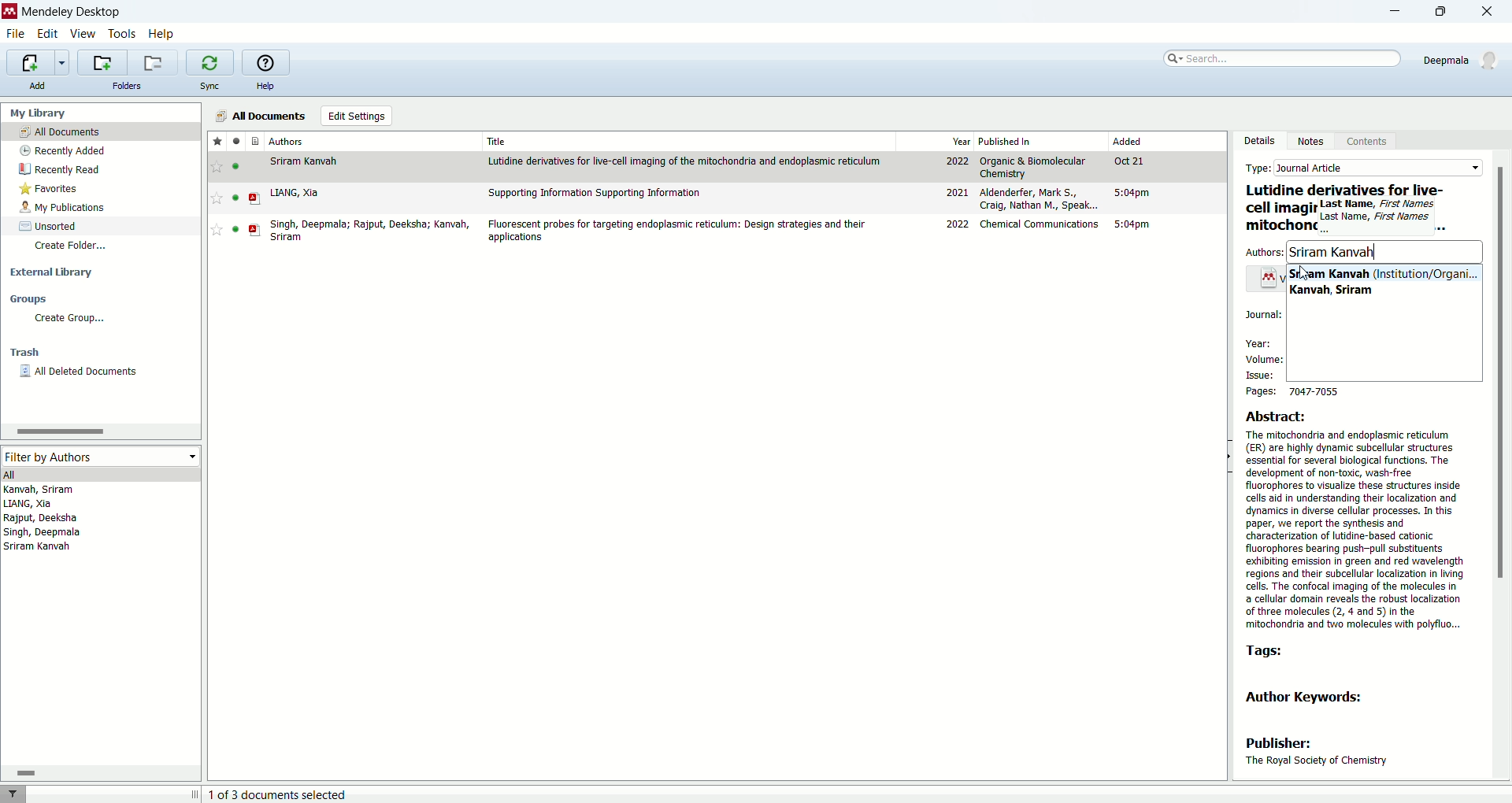 Image resolution: width=1512 pixels, height=803 pixels. I want to click on type, so click(1260, 168).